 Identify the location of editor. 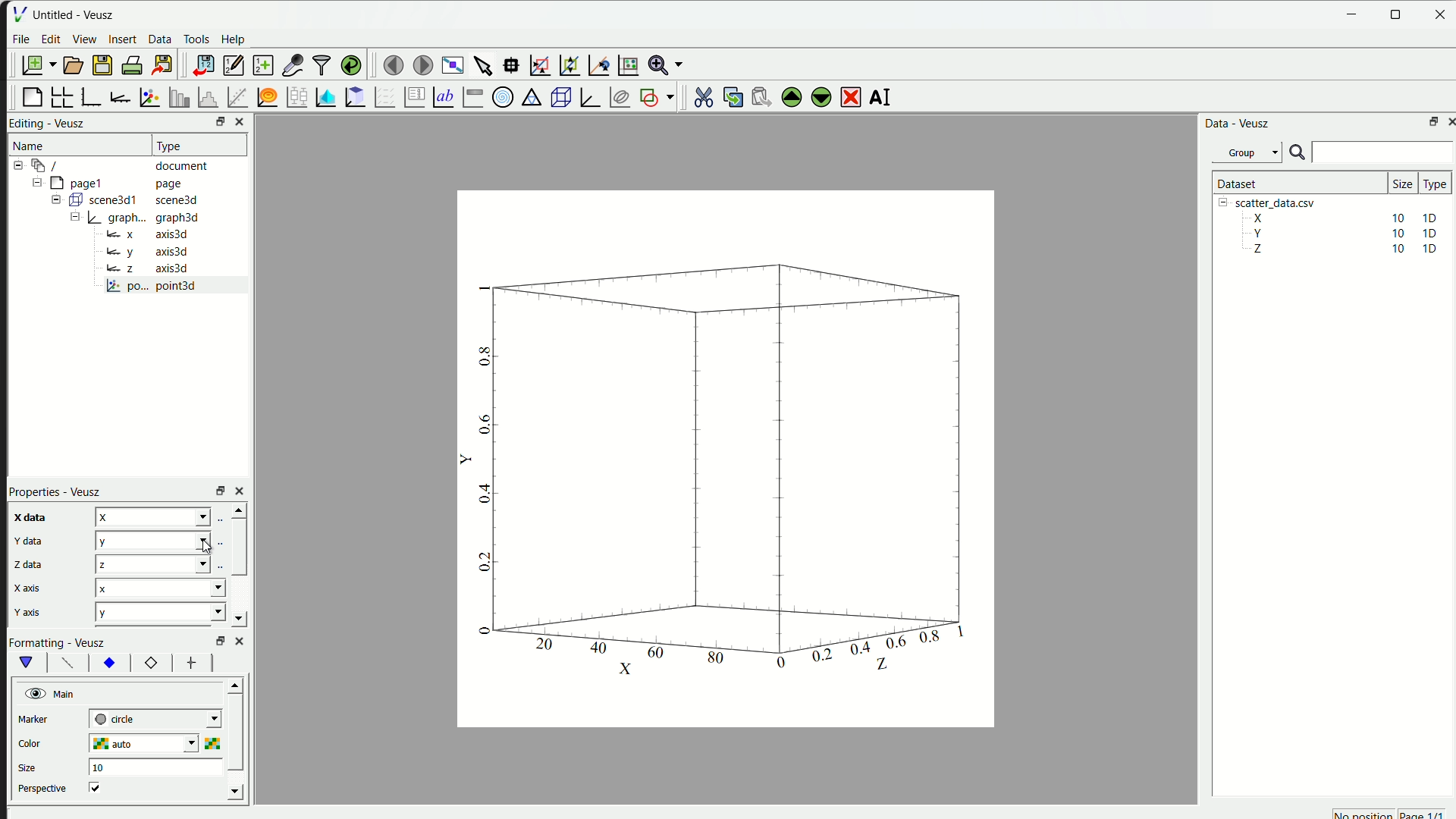
(231, 65).